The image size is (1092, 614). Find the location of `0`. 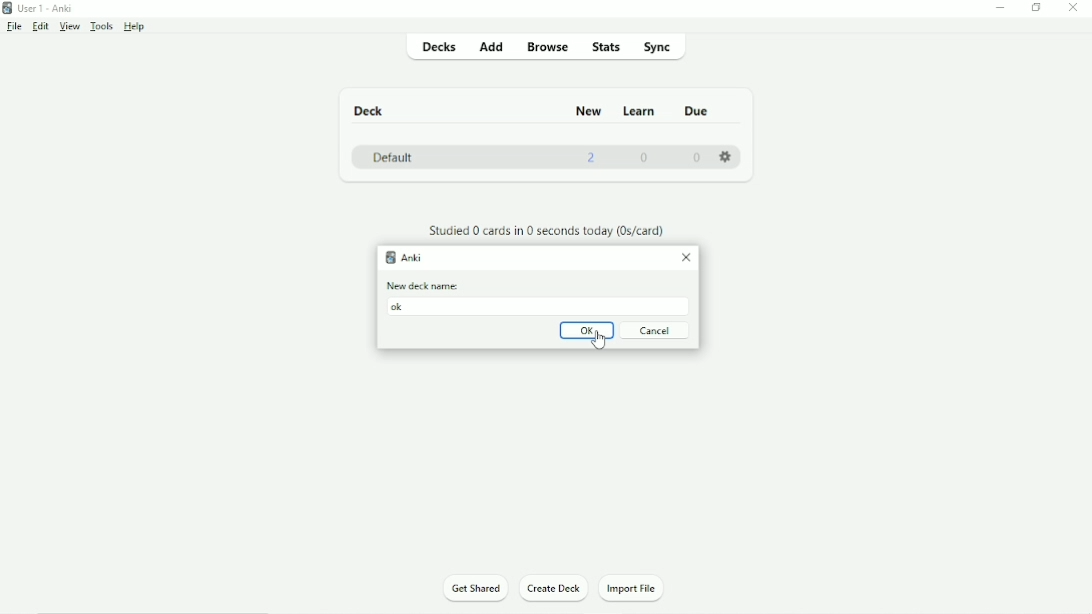

0 is located at coordinates (646, 158).